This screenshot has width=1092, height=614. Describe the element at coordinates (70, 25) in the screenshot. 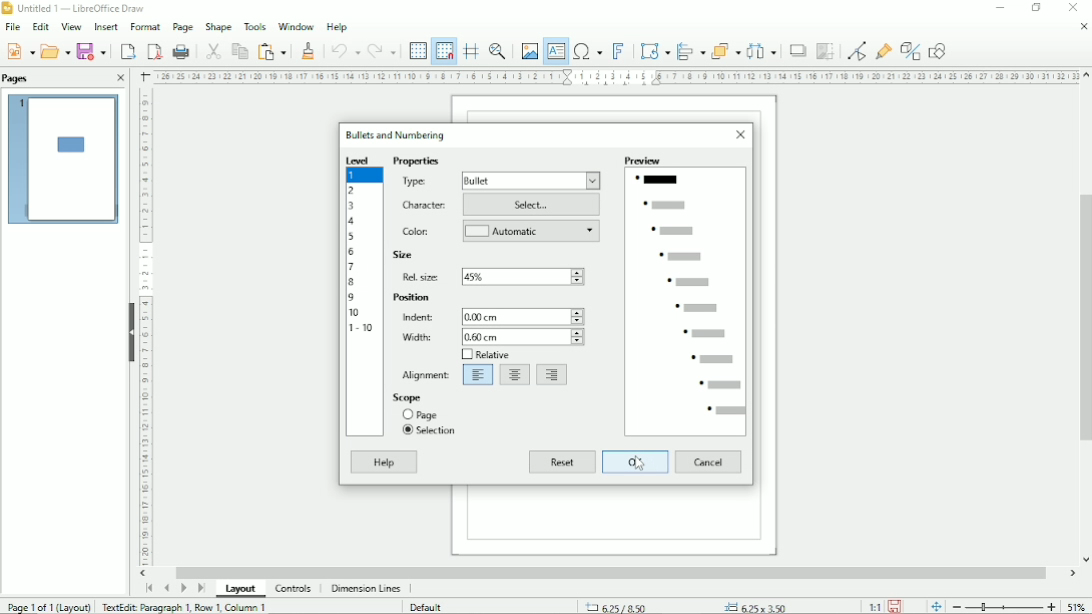

I see `View` at that location.